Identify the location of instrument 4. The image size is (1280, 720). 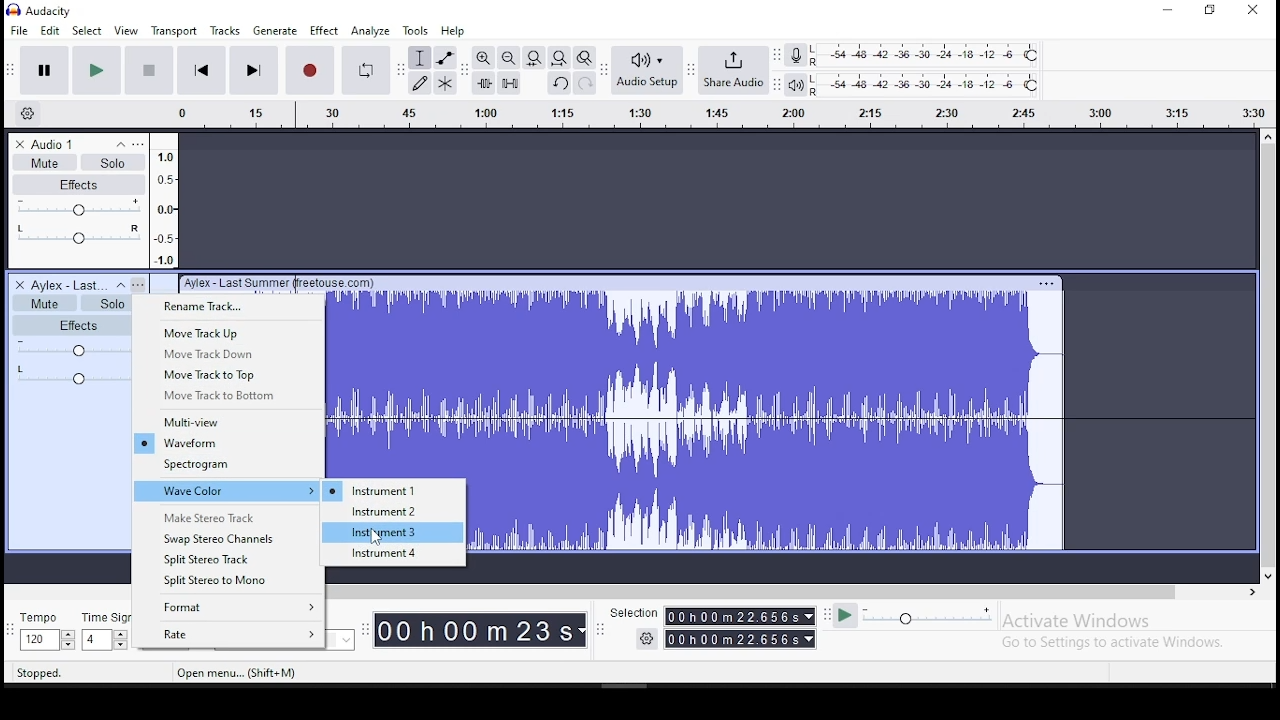
(394, 555).